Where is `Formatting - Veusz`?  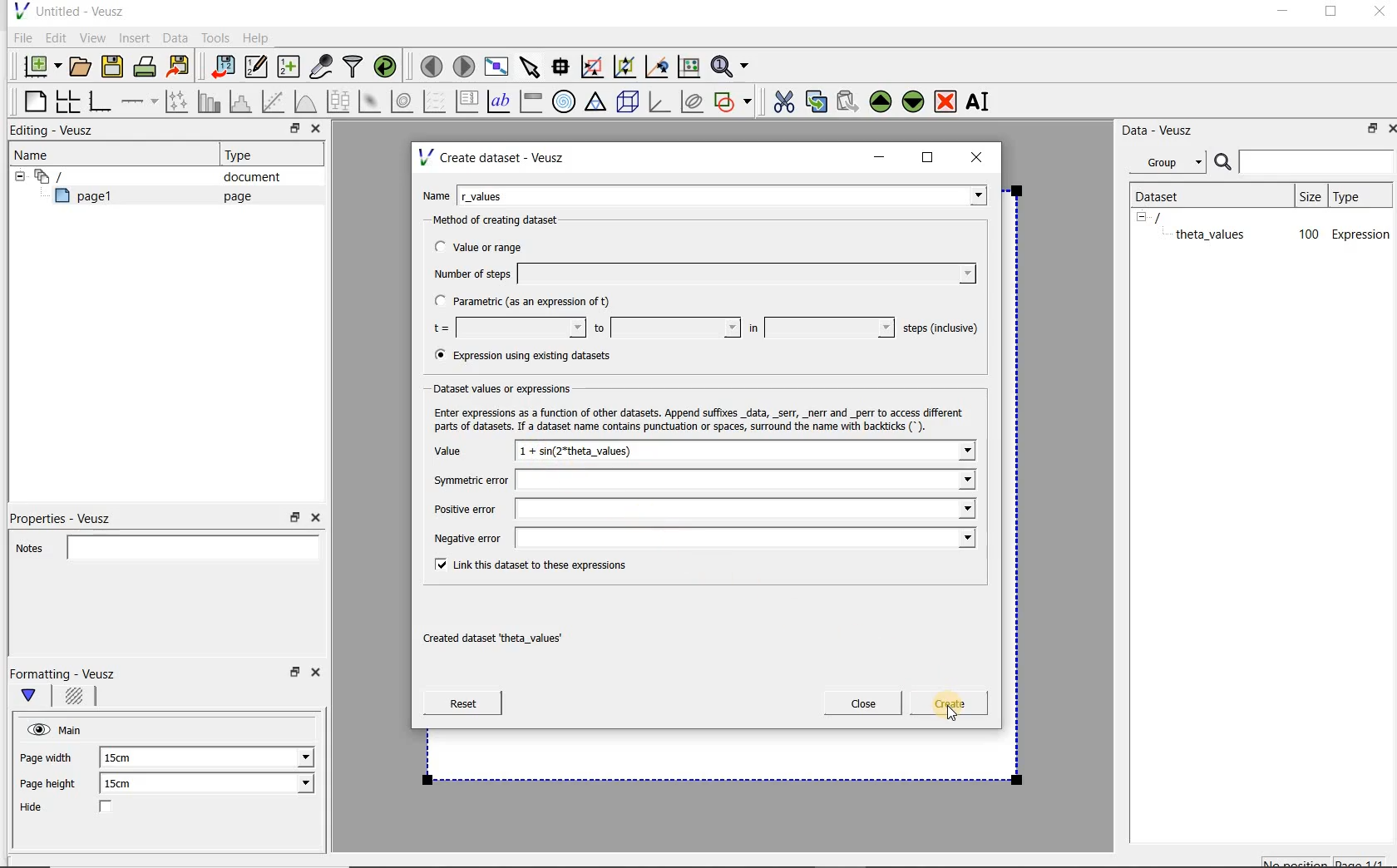
Formatting - Veusz is located at coordinates (65, 673).